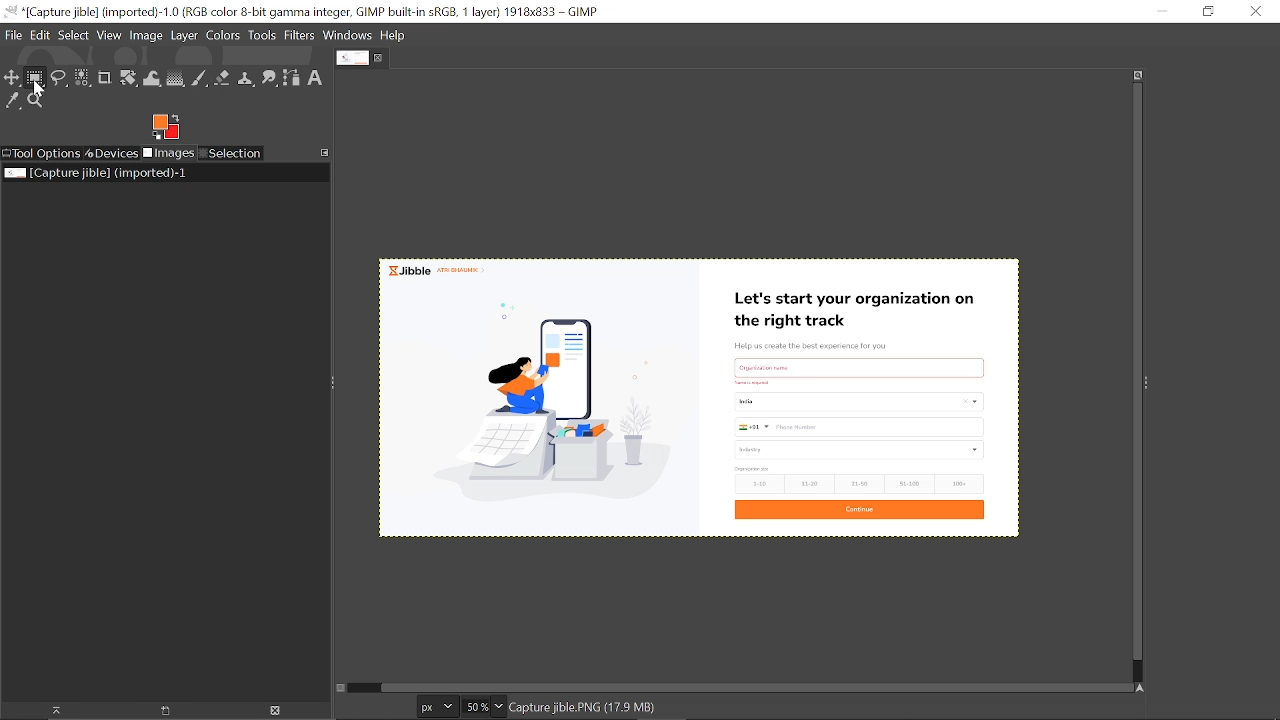  Describe the element at coordinates (275, 710) in the screenshot. I see `Delete` at that location.